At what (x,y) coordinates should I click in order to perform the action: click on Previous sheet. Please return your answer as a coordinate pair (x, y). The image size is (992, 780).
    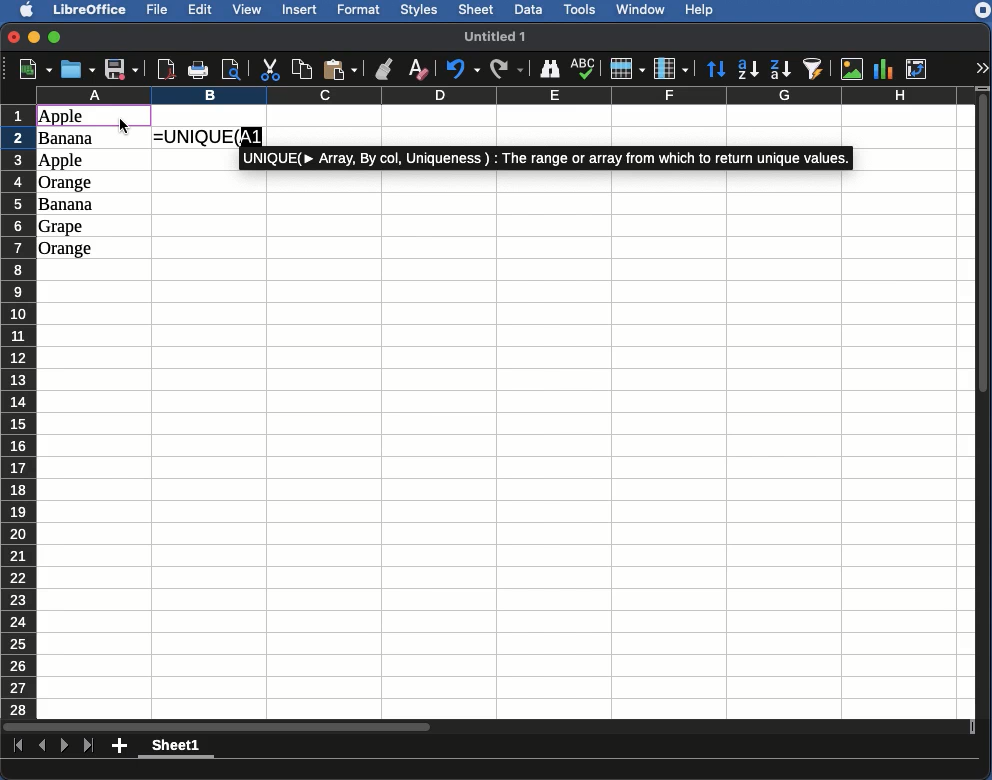
    Looking at the image, I should click on (43, 747).